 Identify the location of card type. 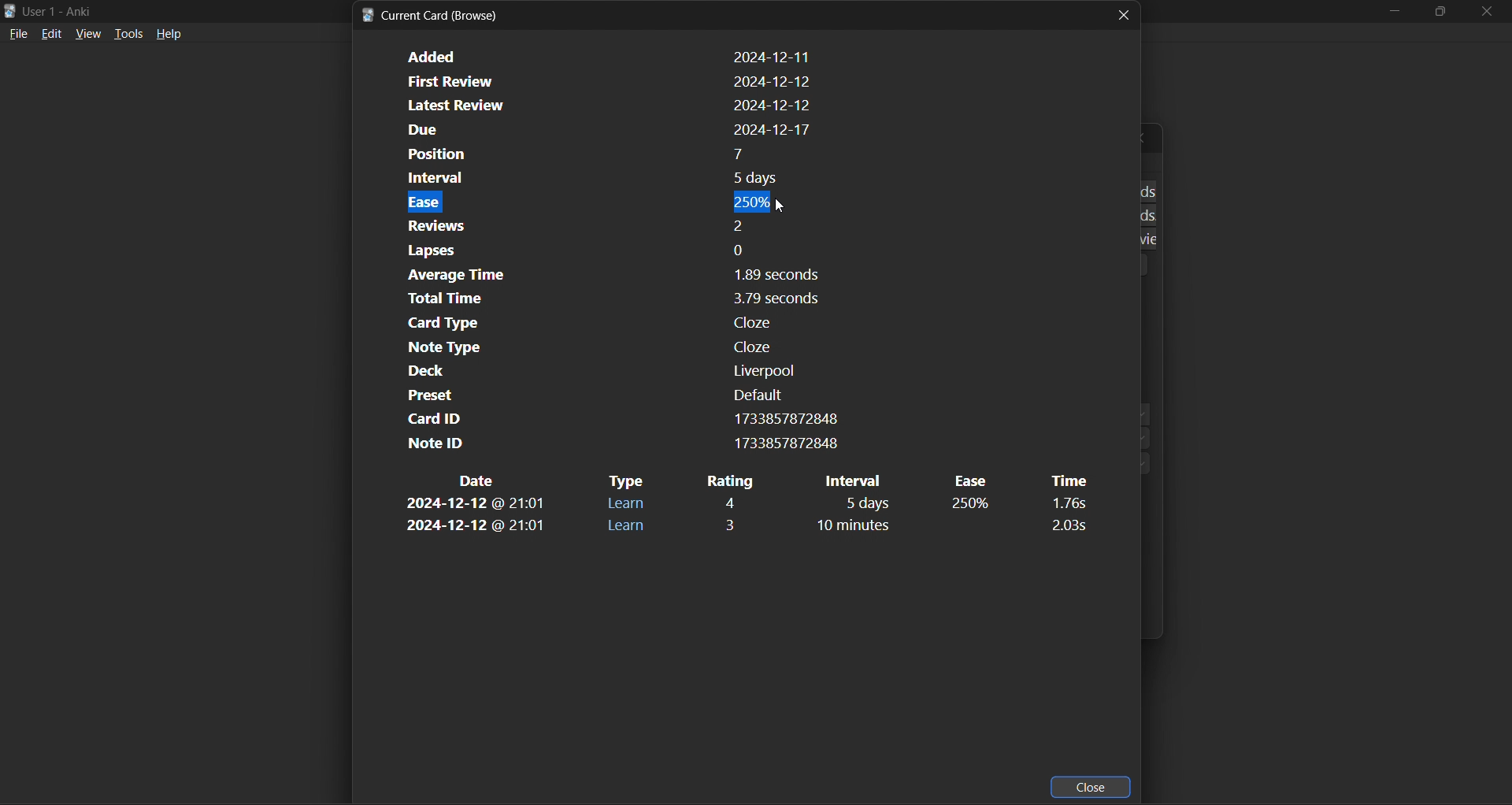
(603, 322).